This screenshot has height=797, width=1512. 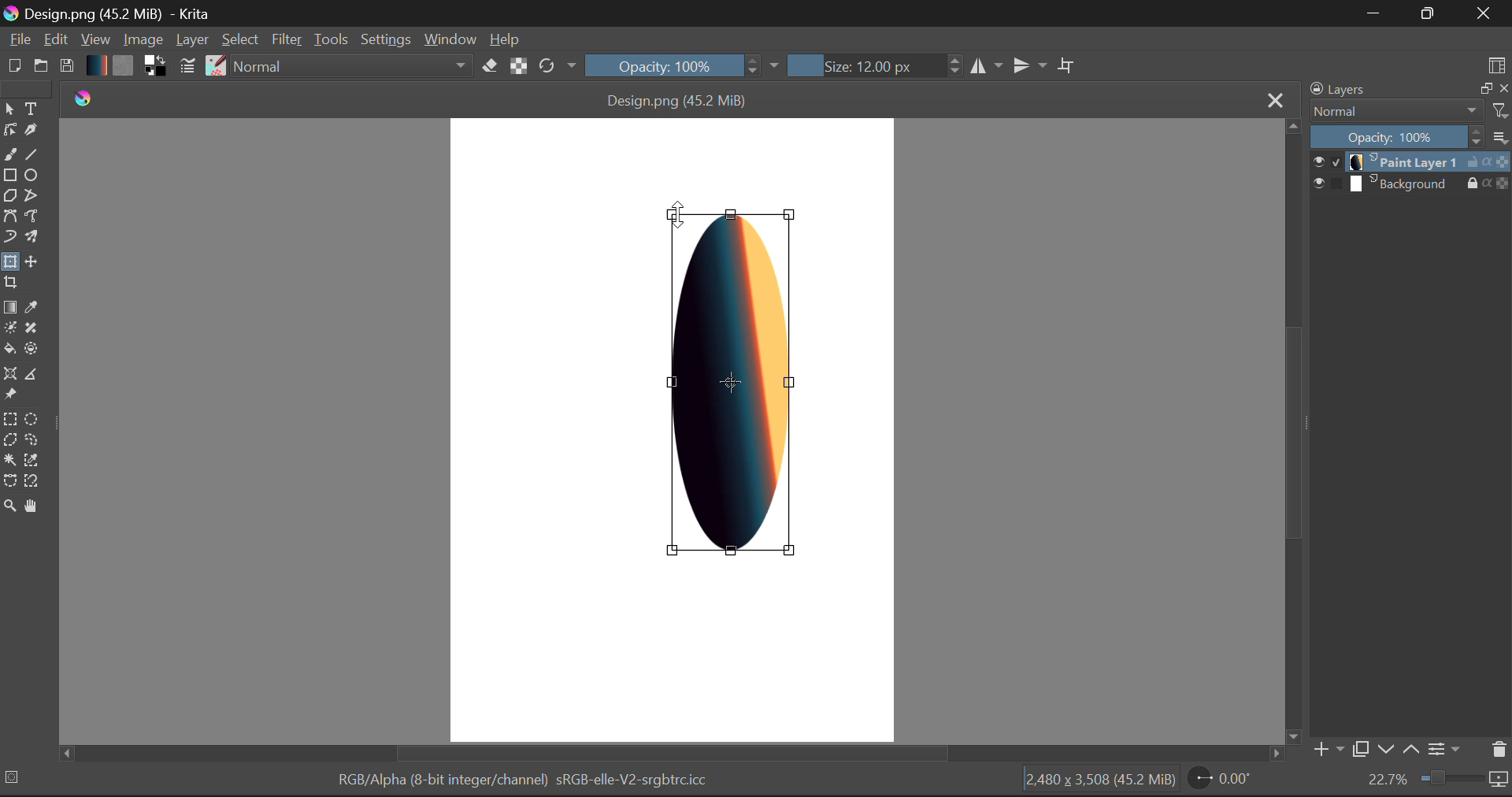 I want to click on Rectangle, so click(x=11, y=176).